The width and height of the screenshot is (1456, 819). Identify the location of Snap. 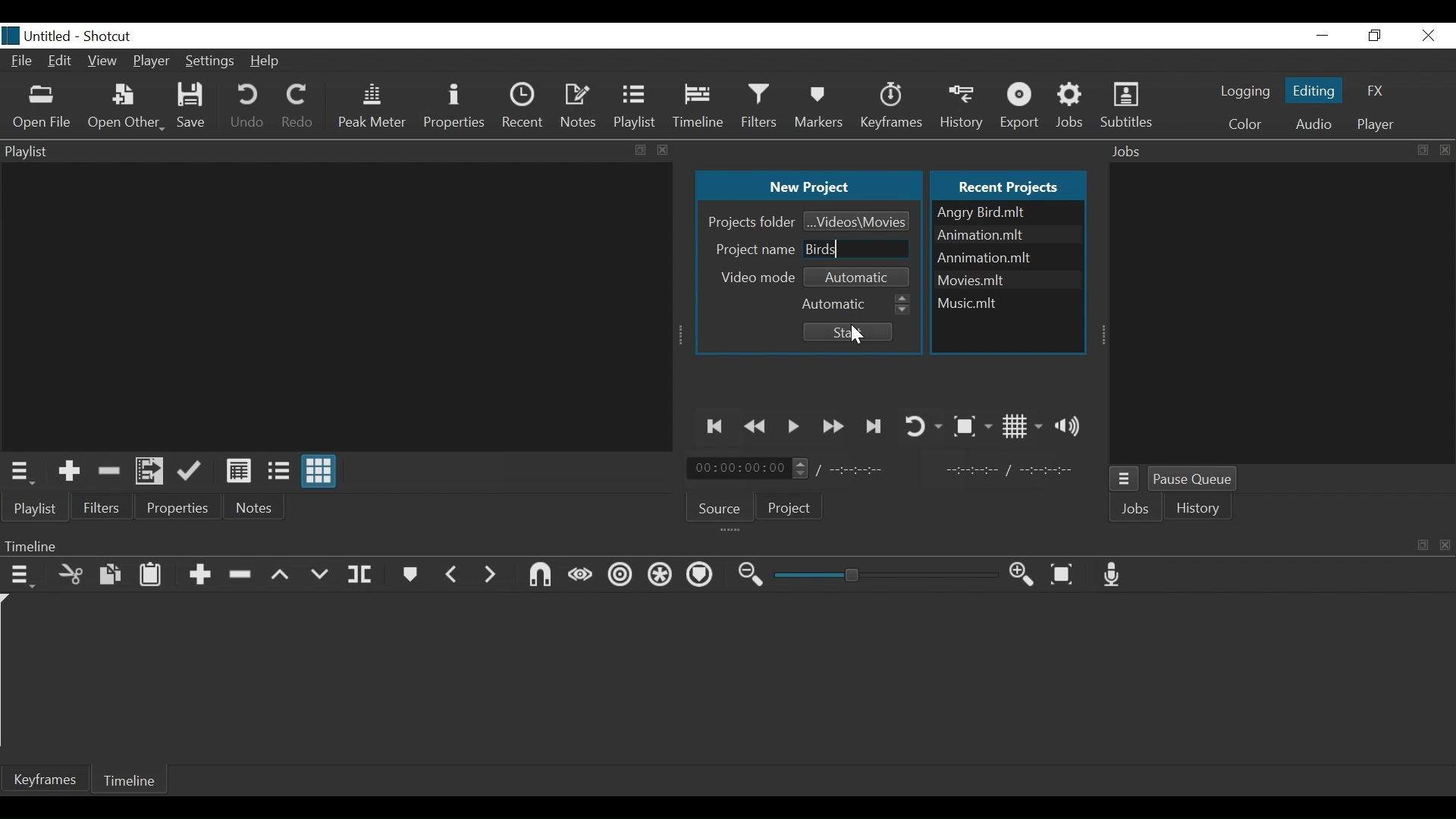
(539, 575).